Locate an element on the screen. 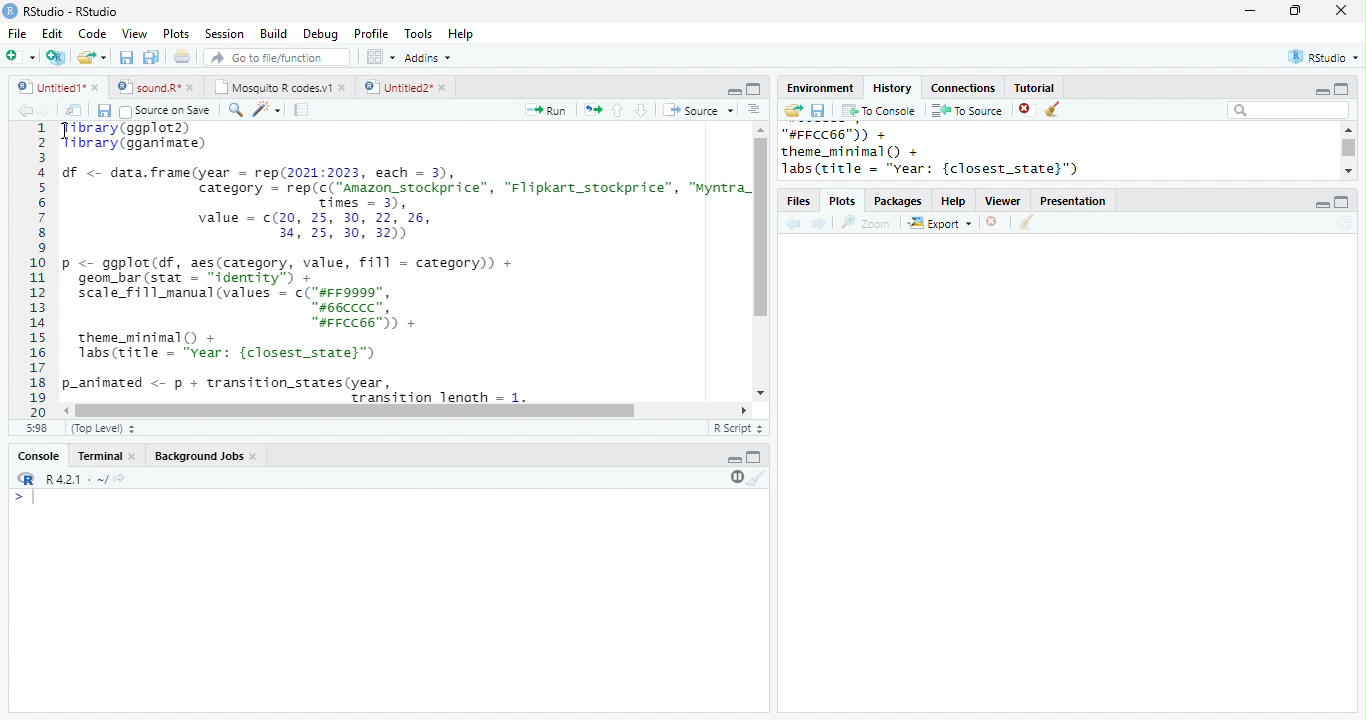  Tools is located at coordinates (418, 33).